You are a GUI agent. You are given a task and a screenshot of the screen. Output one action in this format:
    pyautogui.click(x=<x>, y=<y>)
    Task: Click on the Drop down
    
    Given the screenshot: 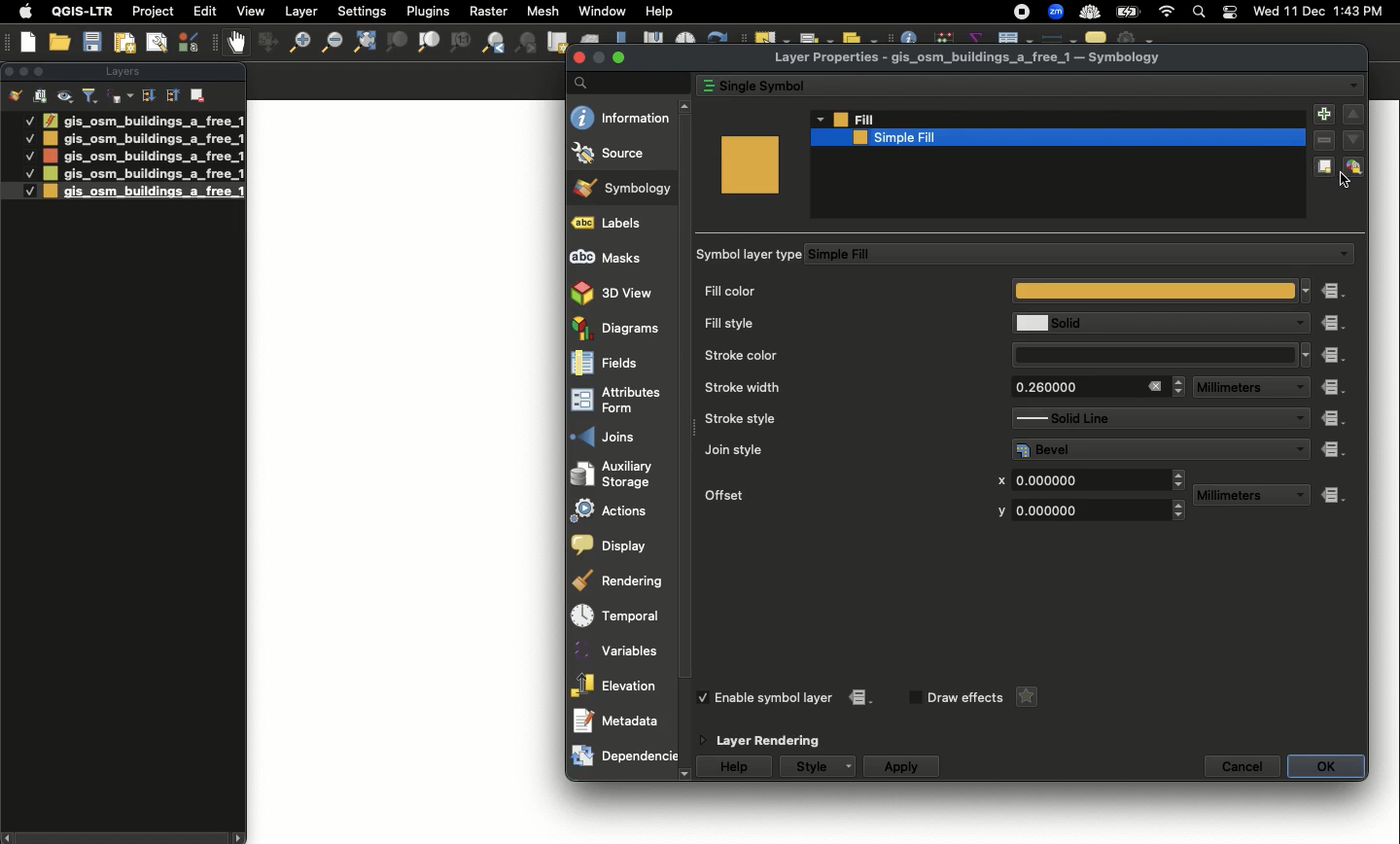 What is the action you would take?
    pyautogui.click(x=1296, y=324)
    